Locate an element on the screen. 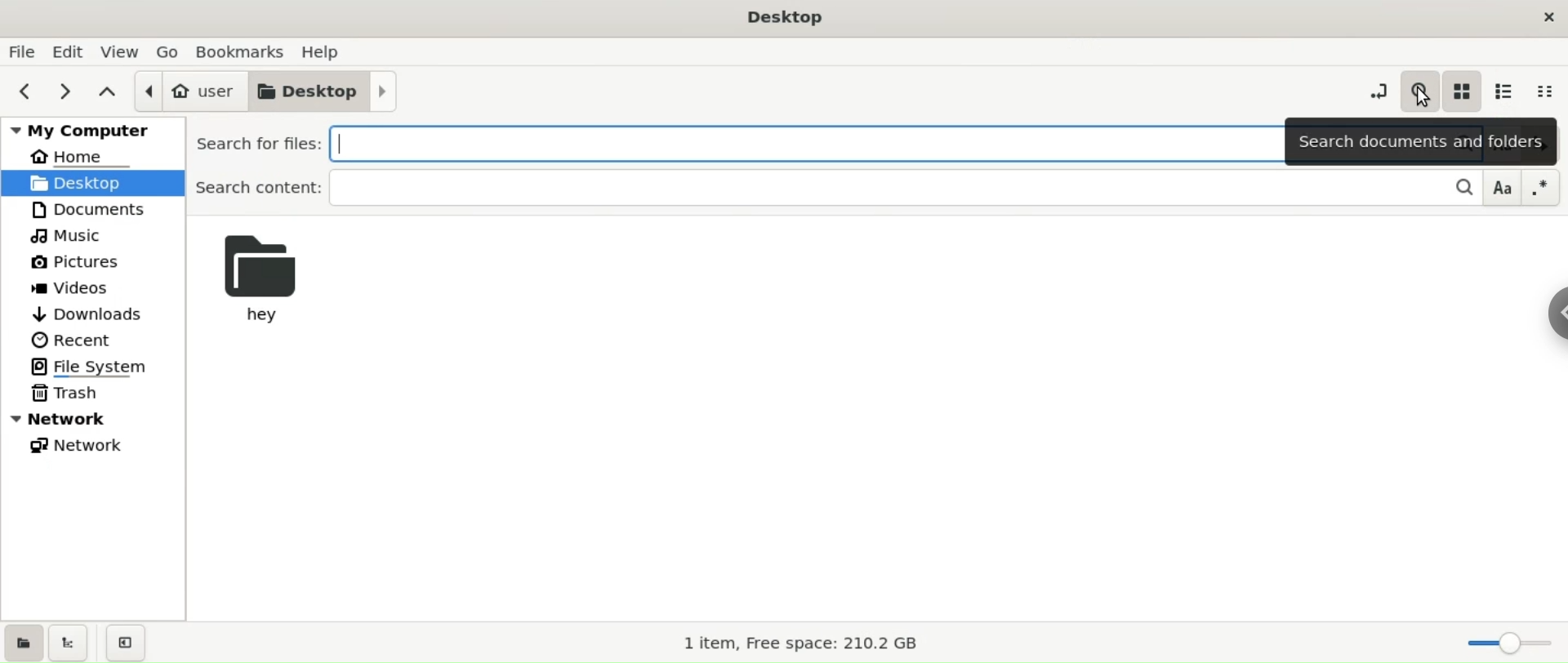  seaarch for files is located at coordinates (737, 140).